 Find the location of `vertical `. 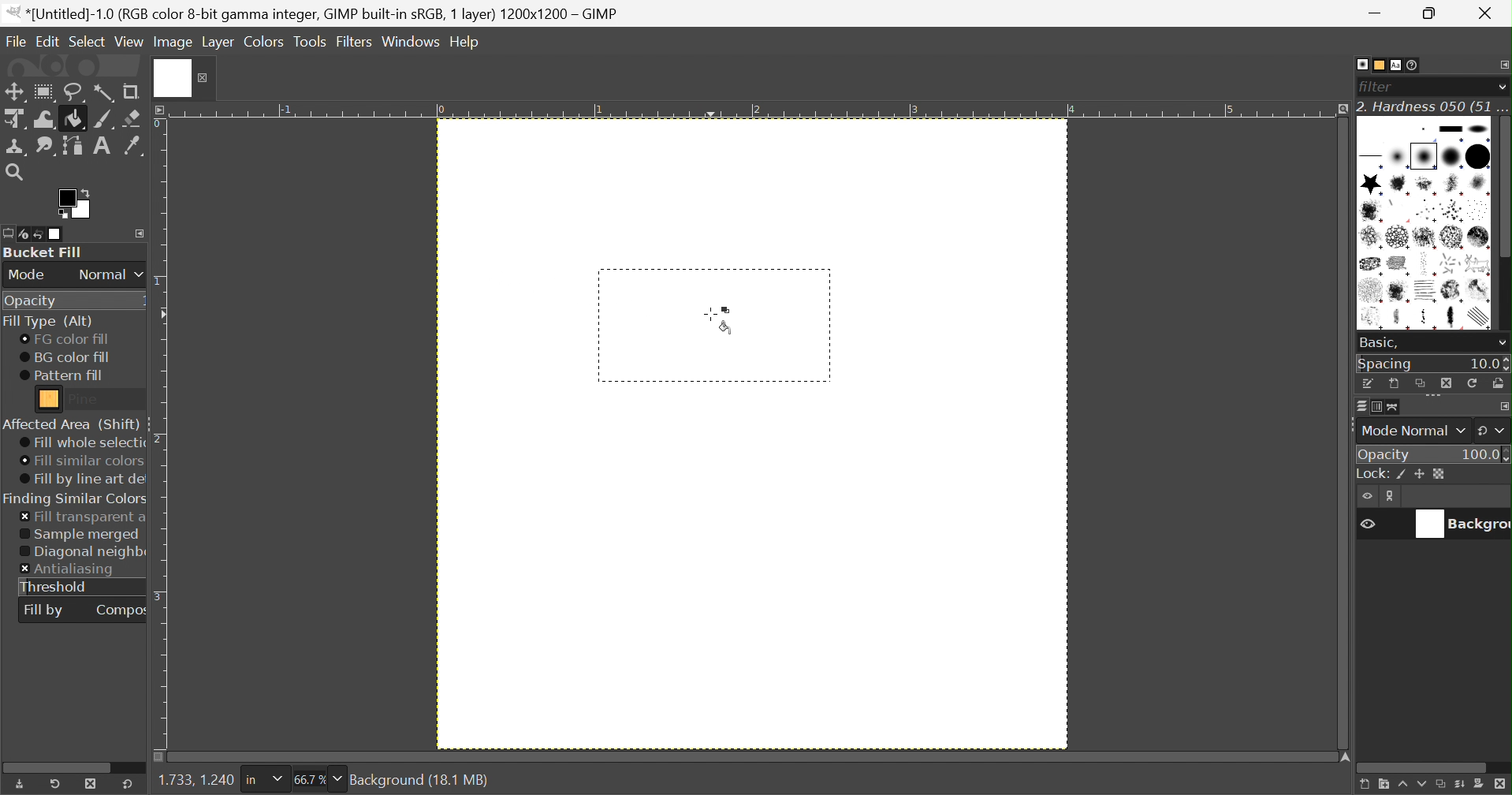

vertical  is located at coordinates (1503, 226).